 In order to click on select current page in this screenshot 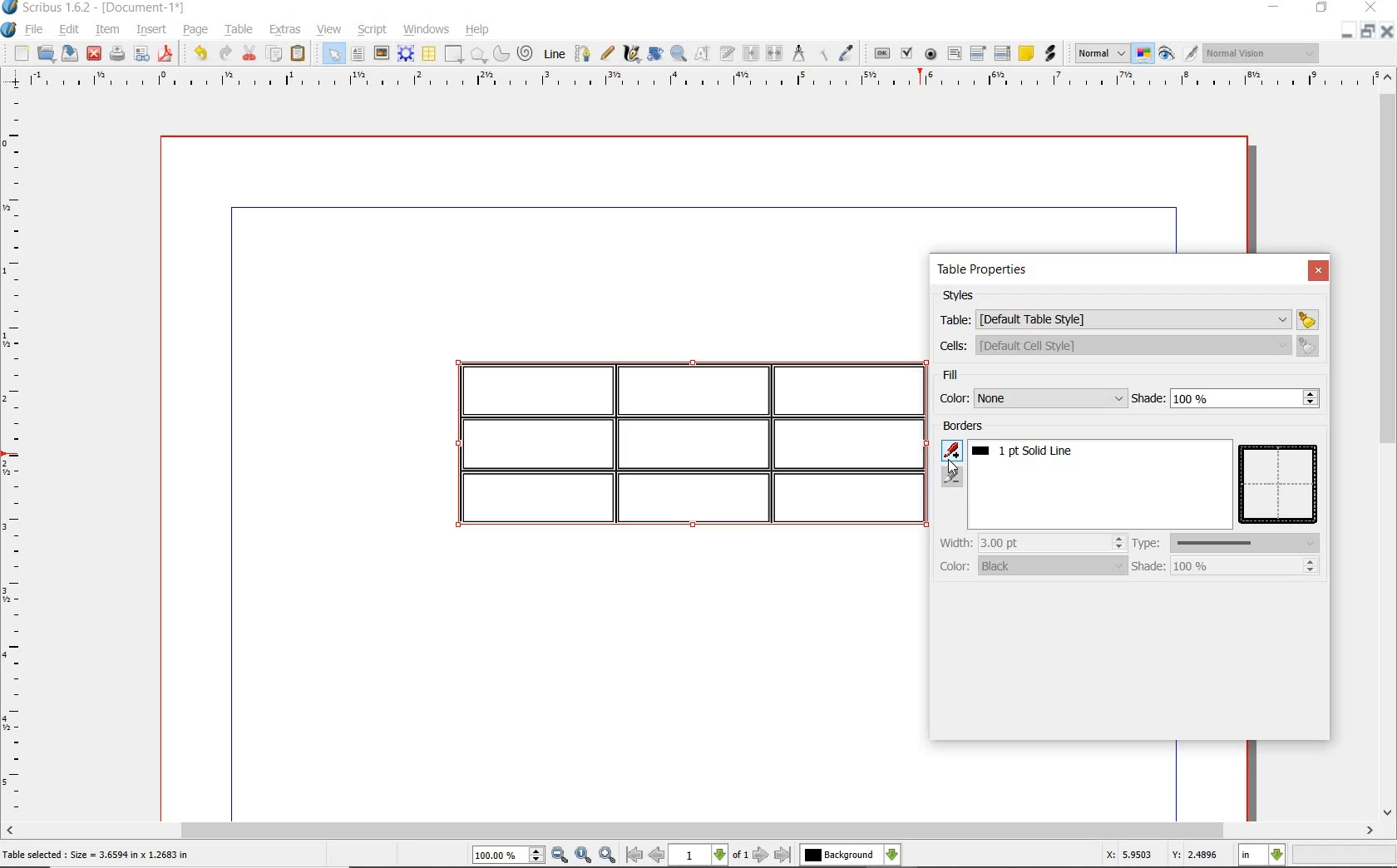, I will do `click(709, 855)`.